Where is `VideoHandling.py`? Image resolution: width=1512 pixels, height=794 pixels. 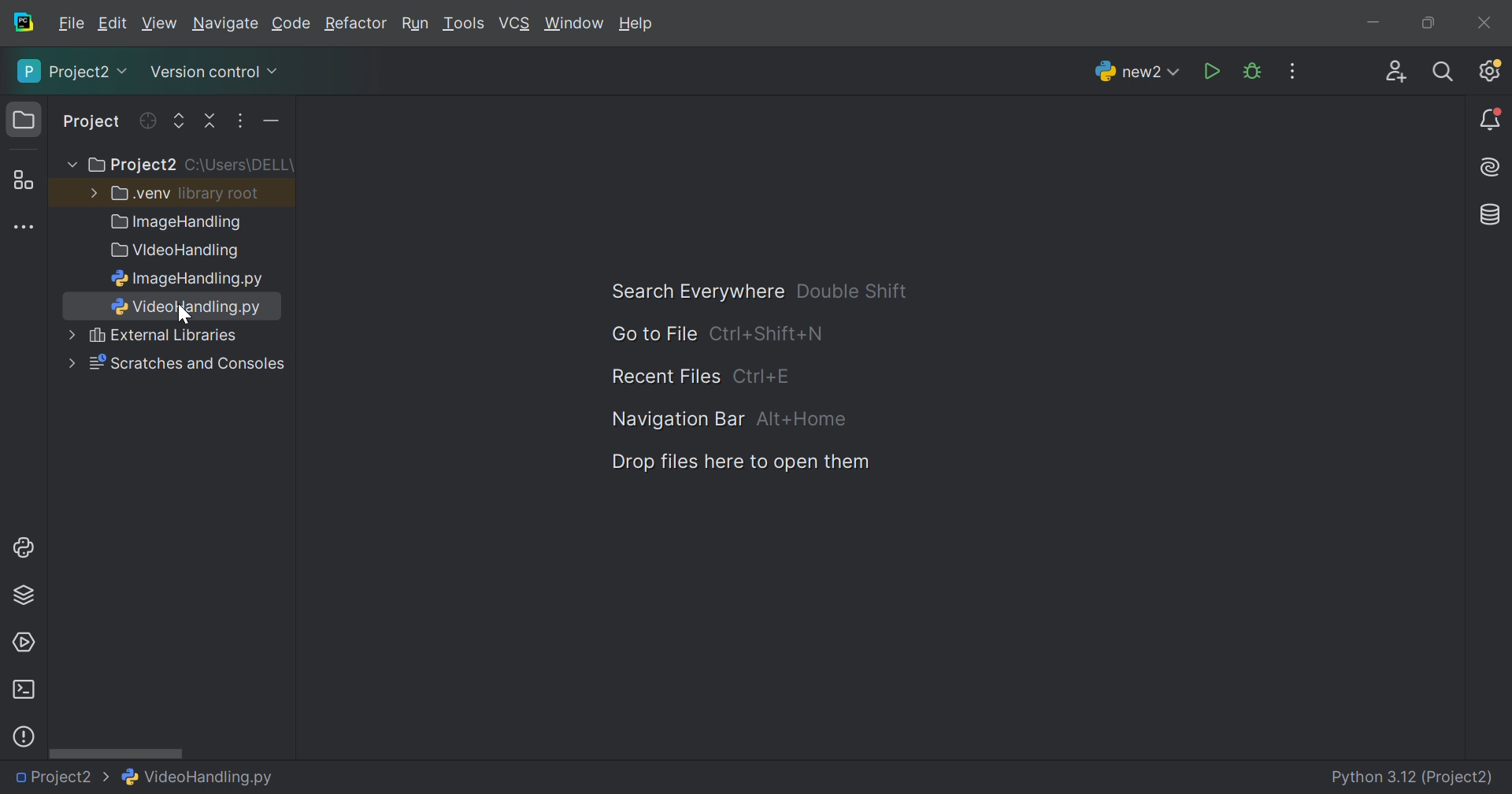 VideoHandling.py is located at coordinates (184, 307).